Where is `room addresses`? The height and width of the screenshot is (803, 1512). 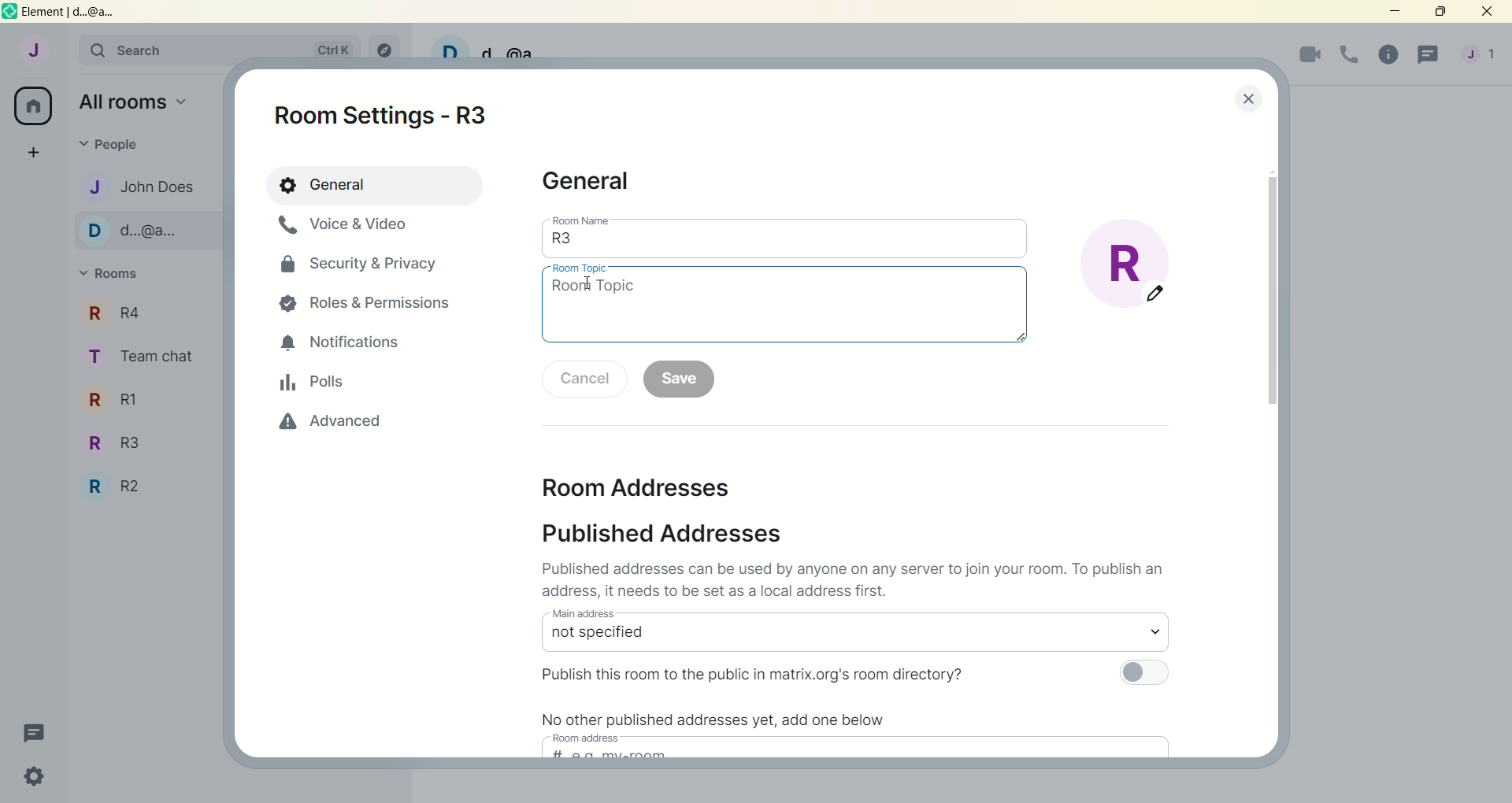
room addresses is located at coordinates (637, 490).